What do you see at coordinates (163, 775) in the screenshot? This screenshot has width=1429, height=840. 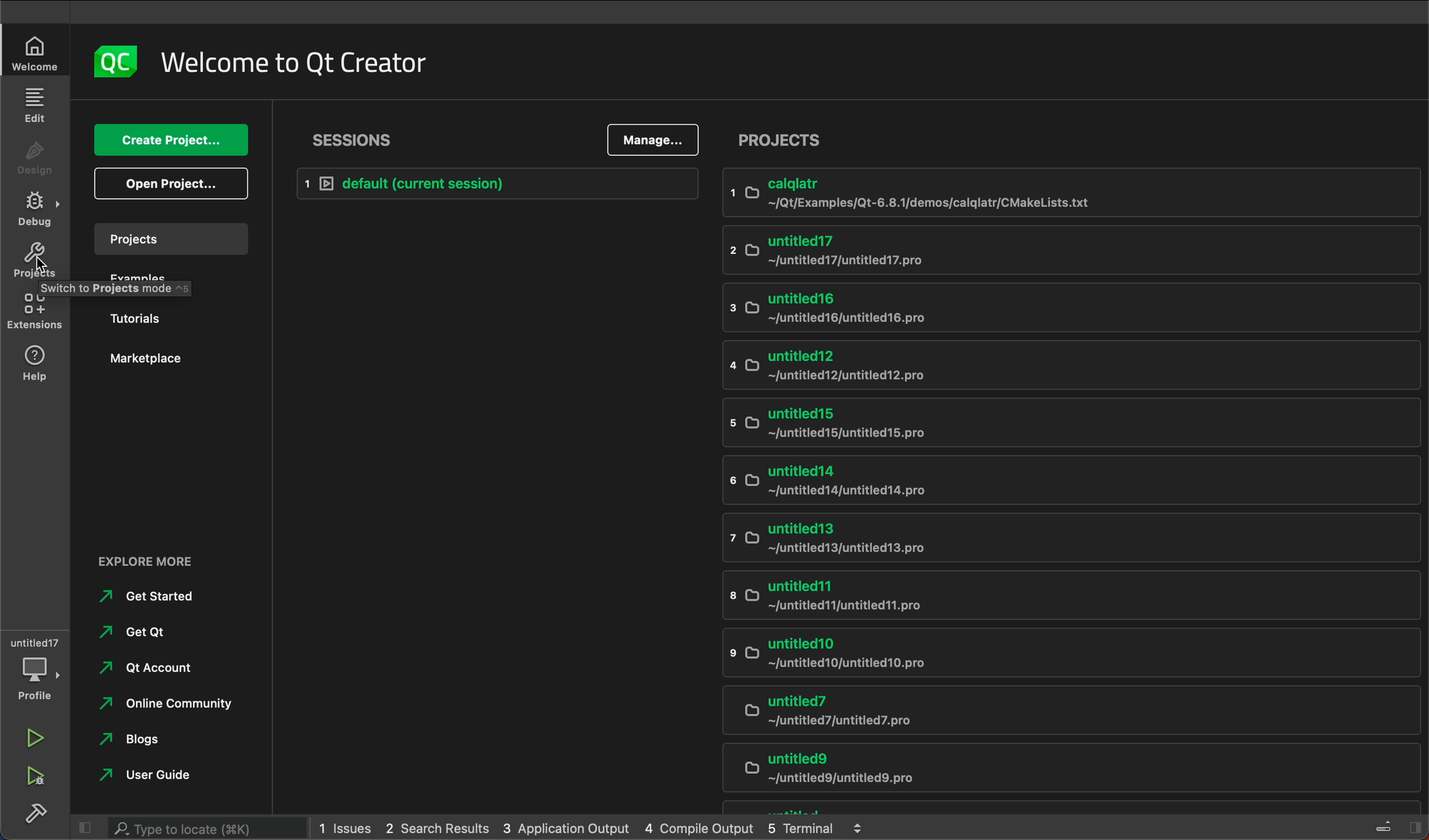 I see `user guide` at bounding box center [163, 775].